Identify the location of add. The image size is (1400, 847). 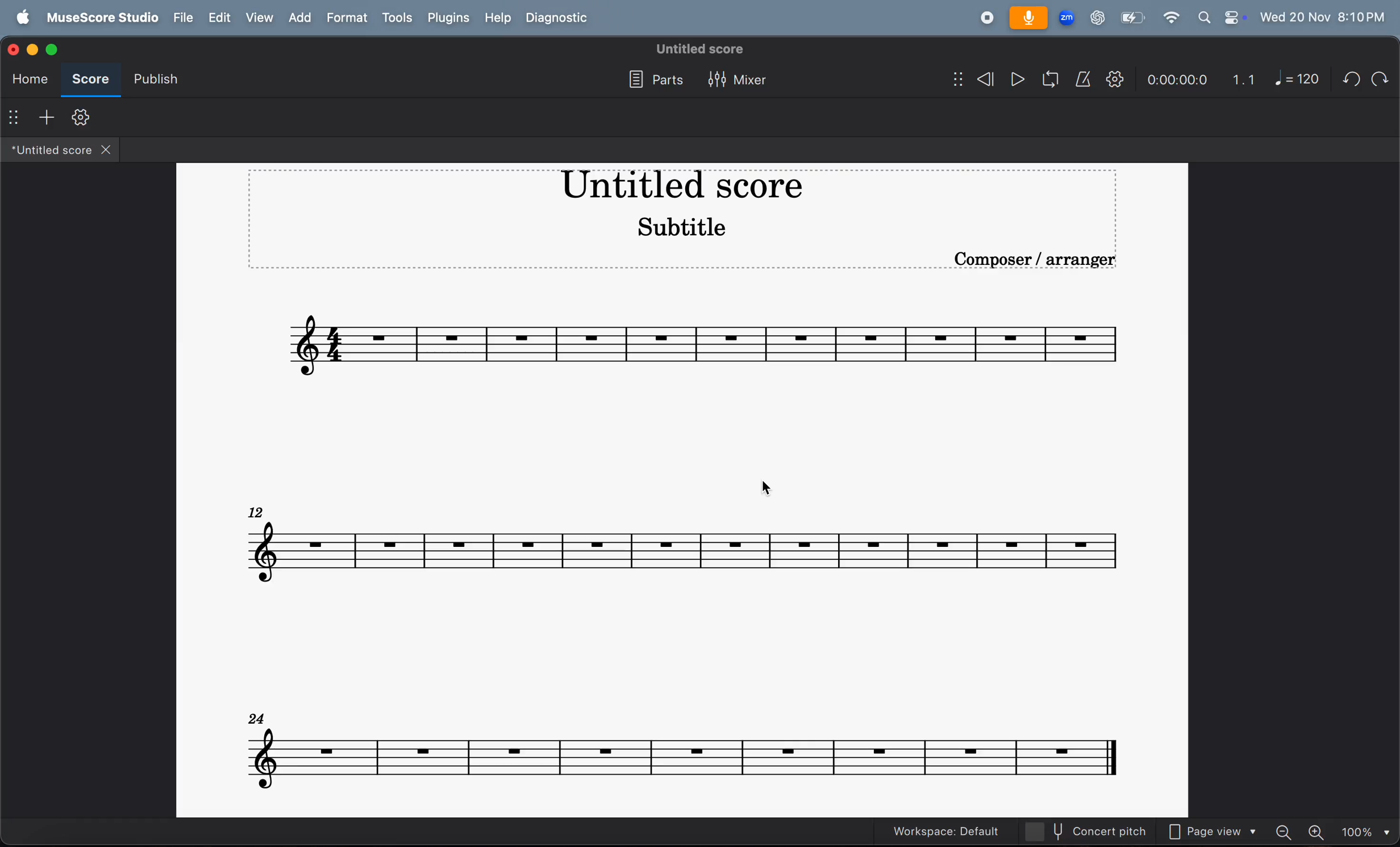
(48, 117).